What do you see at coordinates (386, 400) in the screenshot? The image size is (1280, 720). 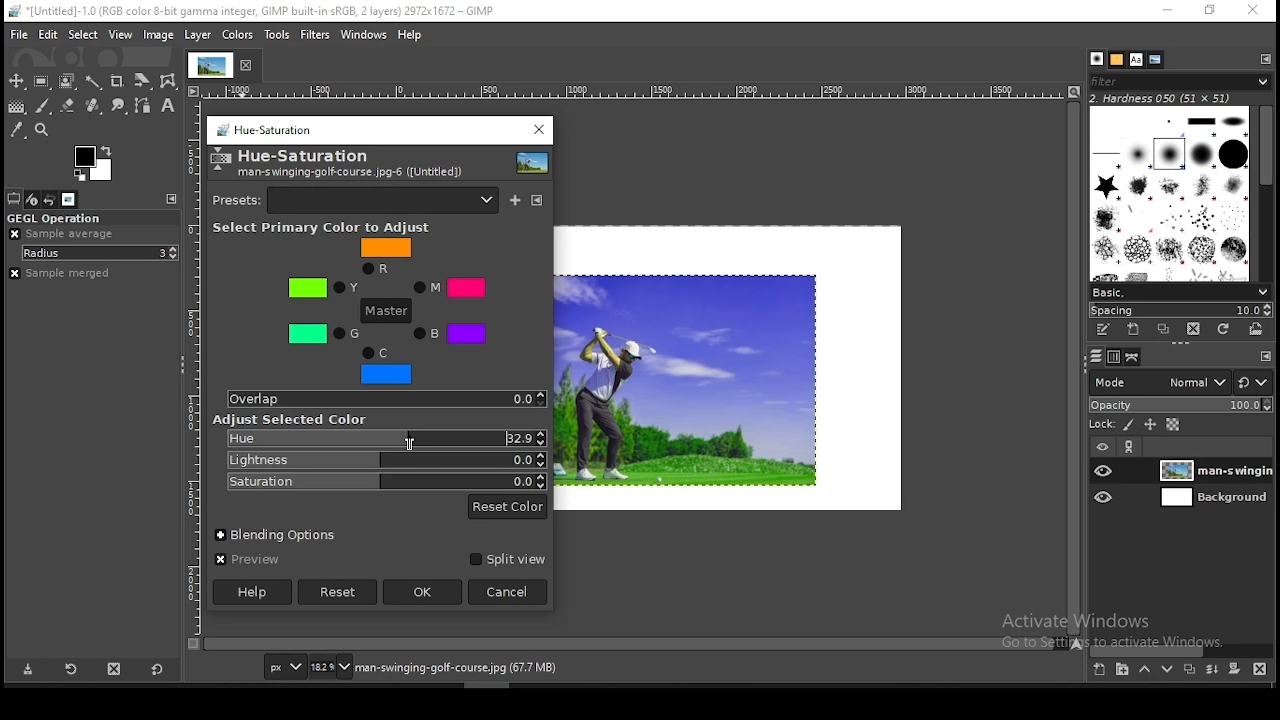 I see `overlap` at bounding box center [386, 400].